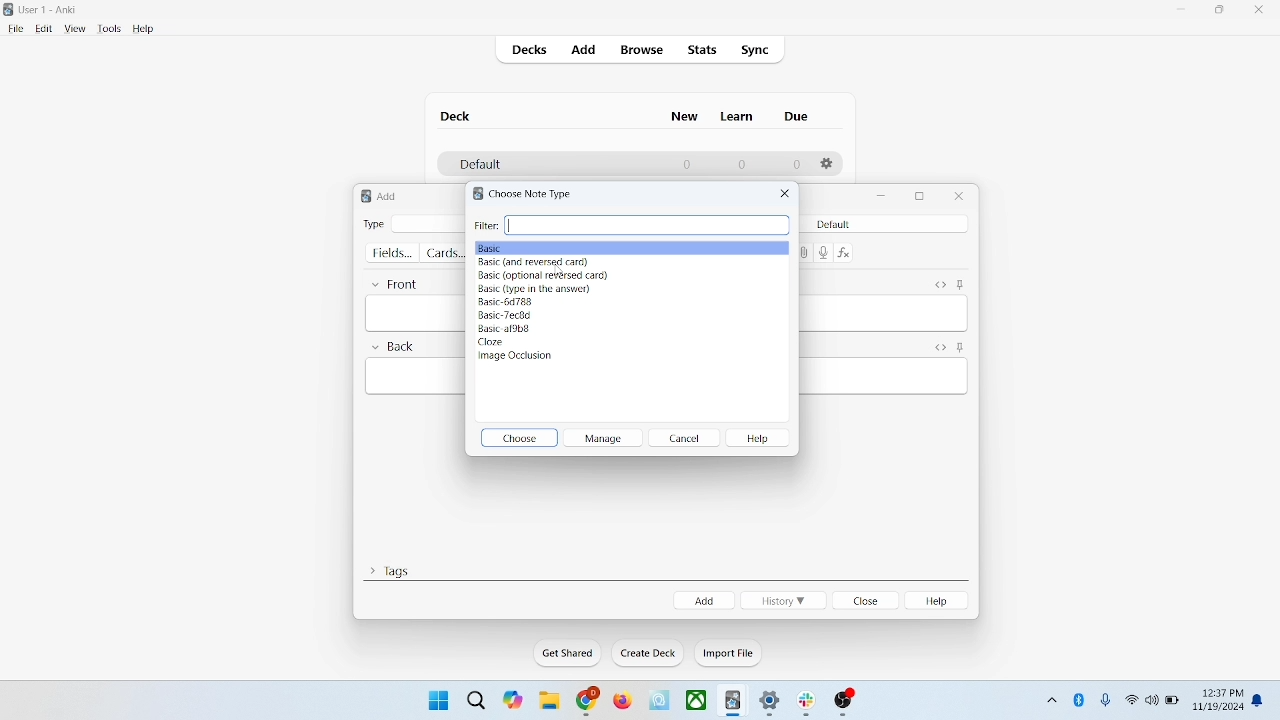 This screenshot has width=1280, height=720. Describe the element at coordinates (476, 194) in the screenshot. I see `logo` at that location.